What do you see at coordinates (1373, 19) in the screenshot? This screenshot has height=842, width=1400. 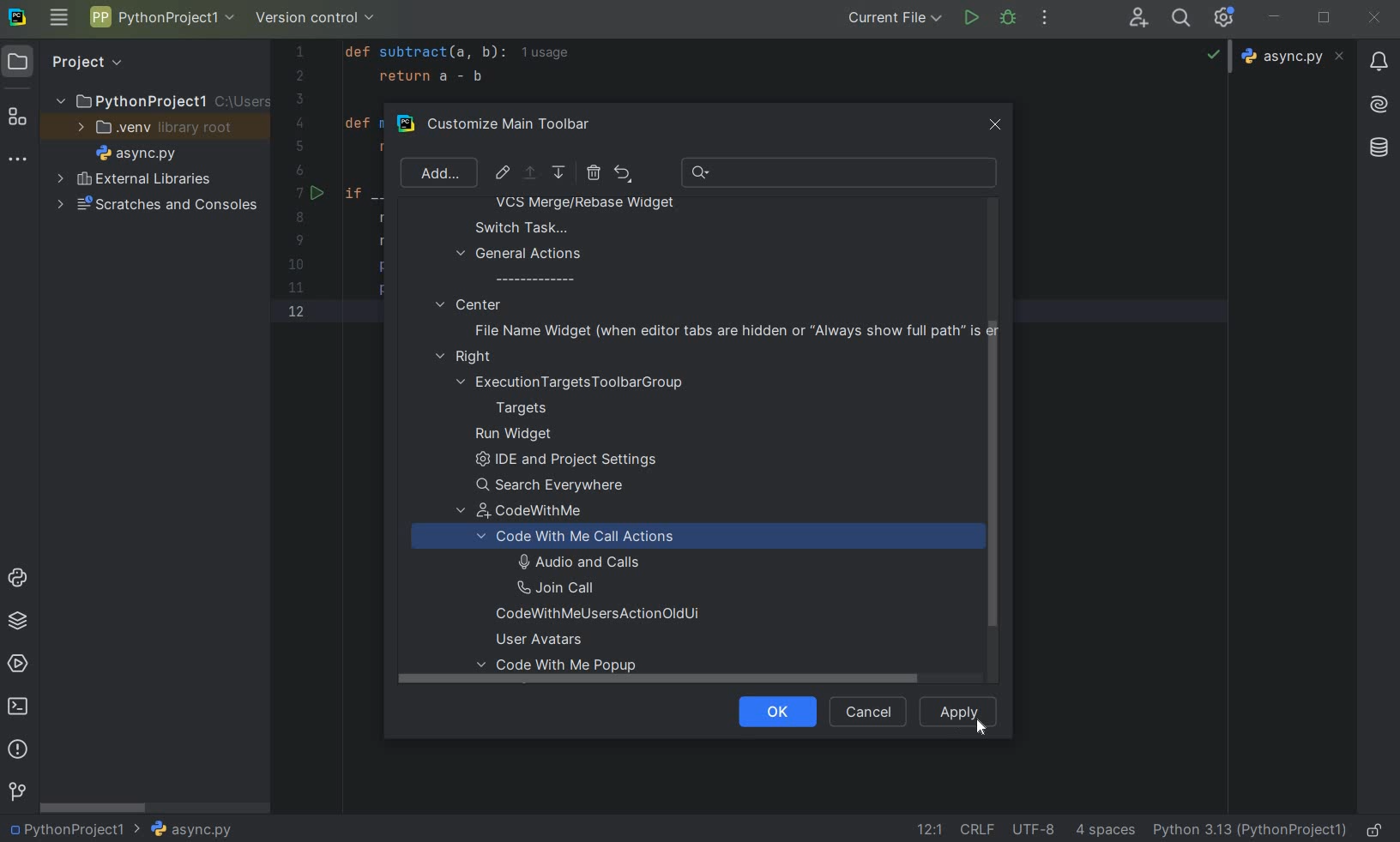 I see `CLOSE` at bounding box center [1373, 19].